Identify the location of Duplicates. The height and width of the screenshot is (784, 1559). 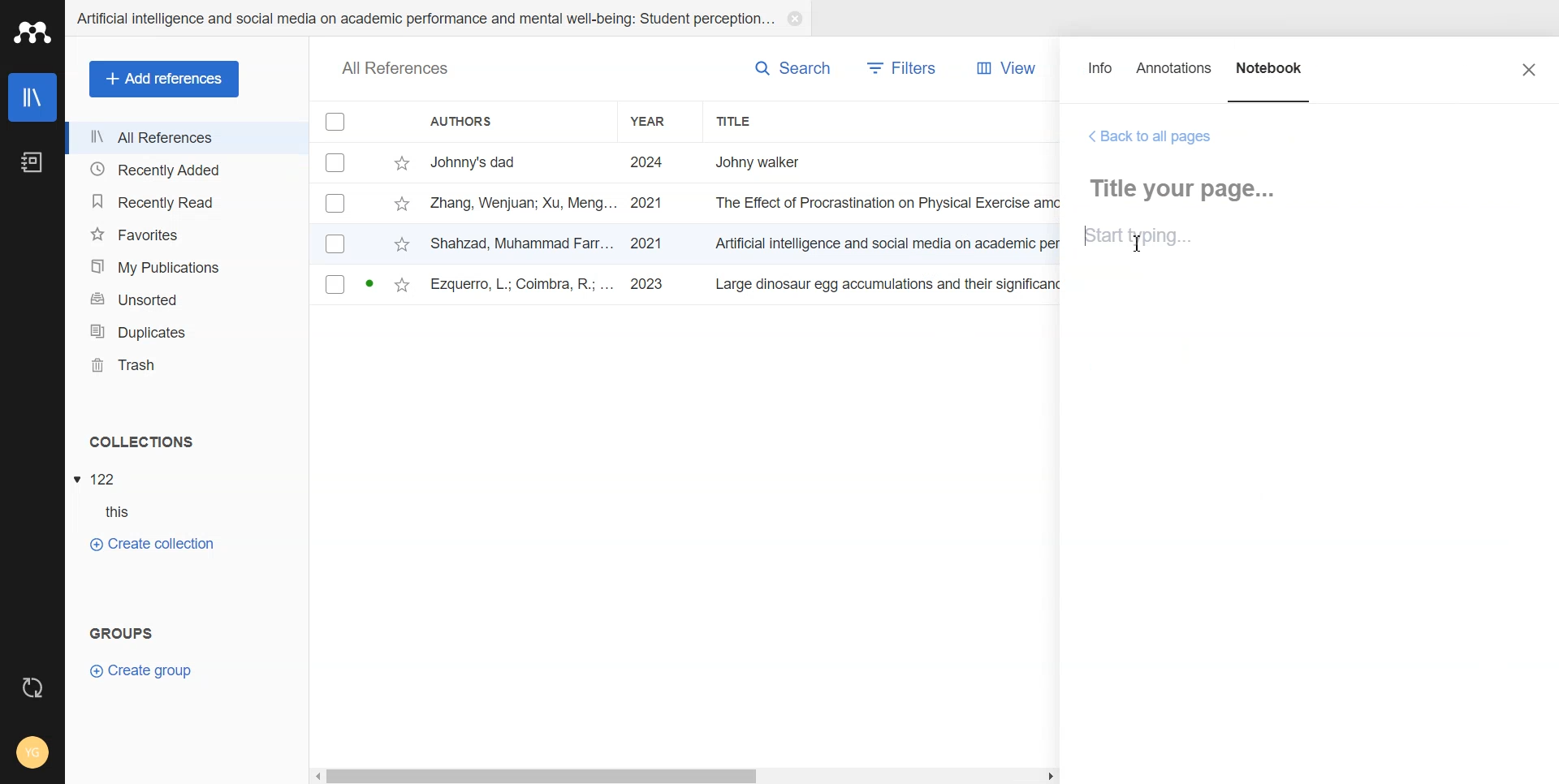
(186, 332).